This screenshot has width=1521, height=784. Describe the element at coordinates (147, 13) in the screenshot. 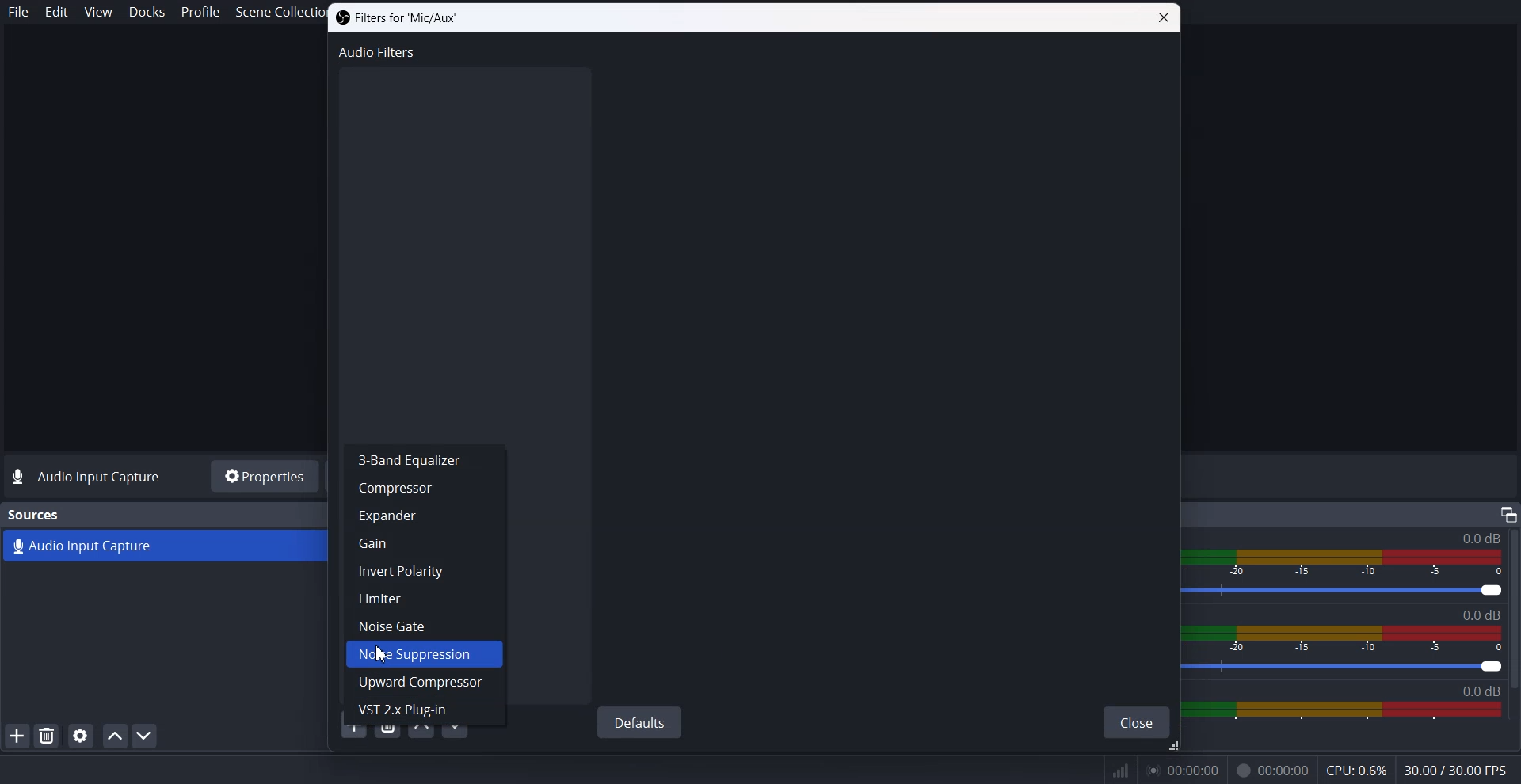

I see `Docks` at that location.